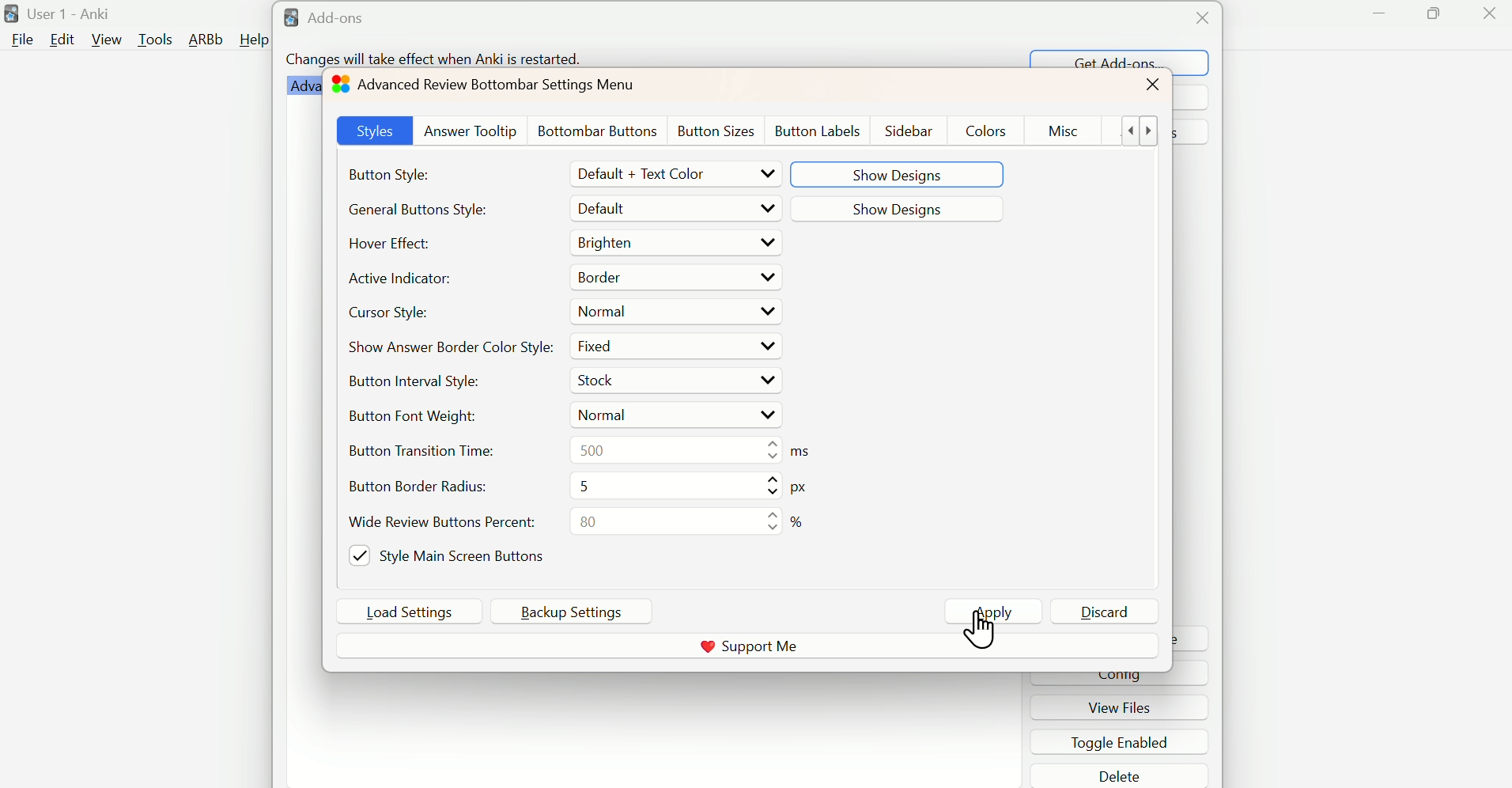 This screenshot has width=1512, height=788. What do you see at coordinates (1121, 677) in the screenshot?
I see `cinfig` at bounding box center [1121, 677].